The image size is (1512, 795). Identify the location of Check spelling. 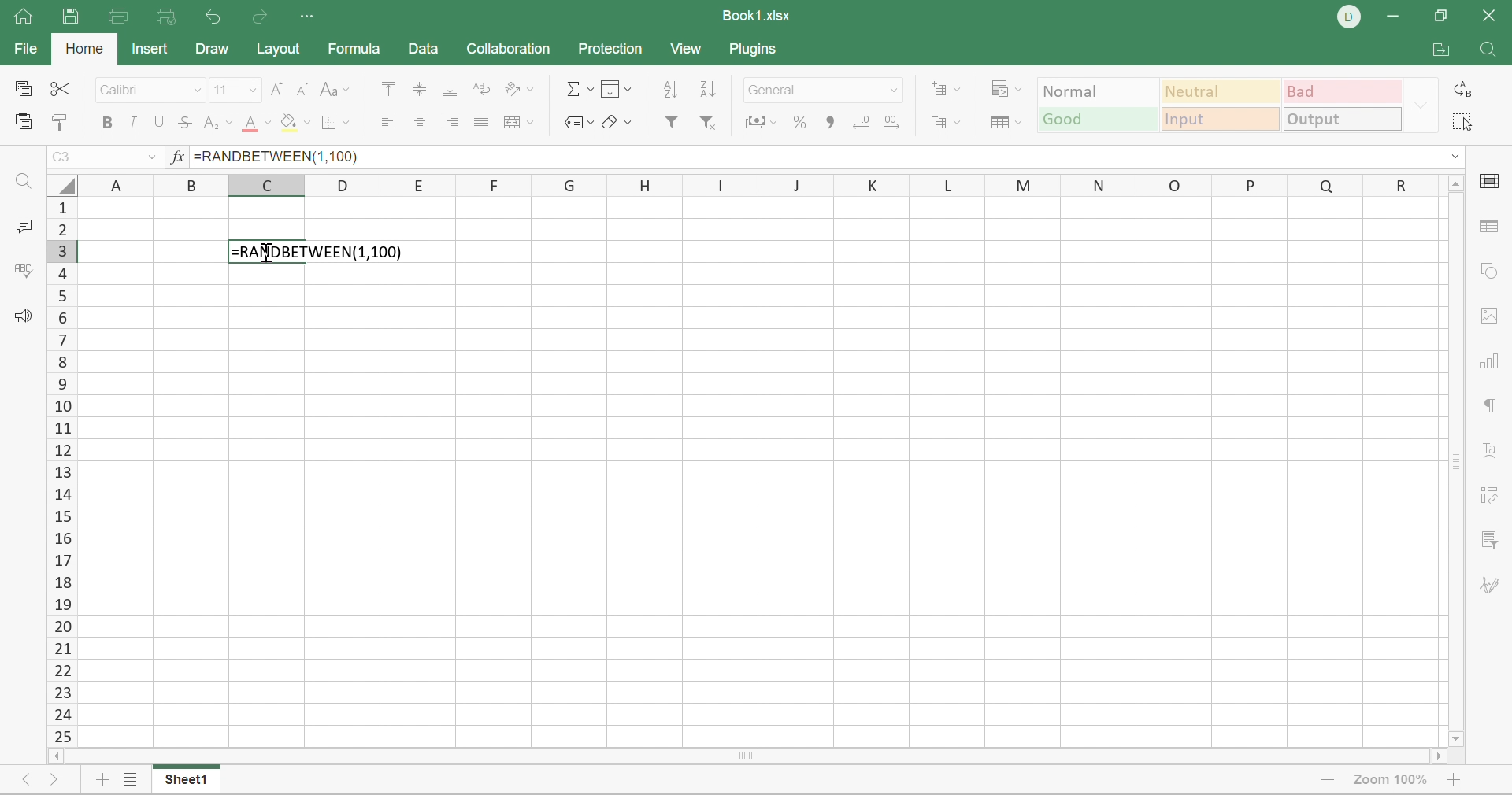
(20, 272).